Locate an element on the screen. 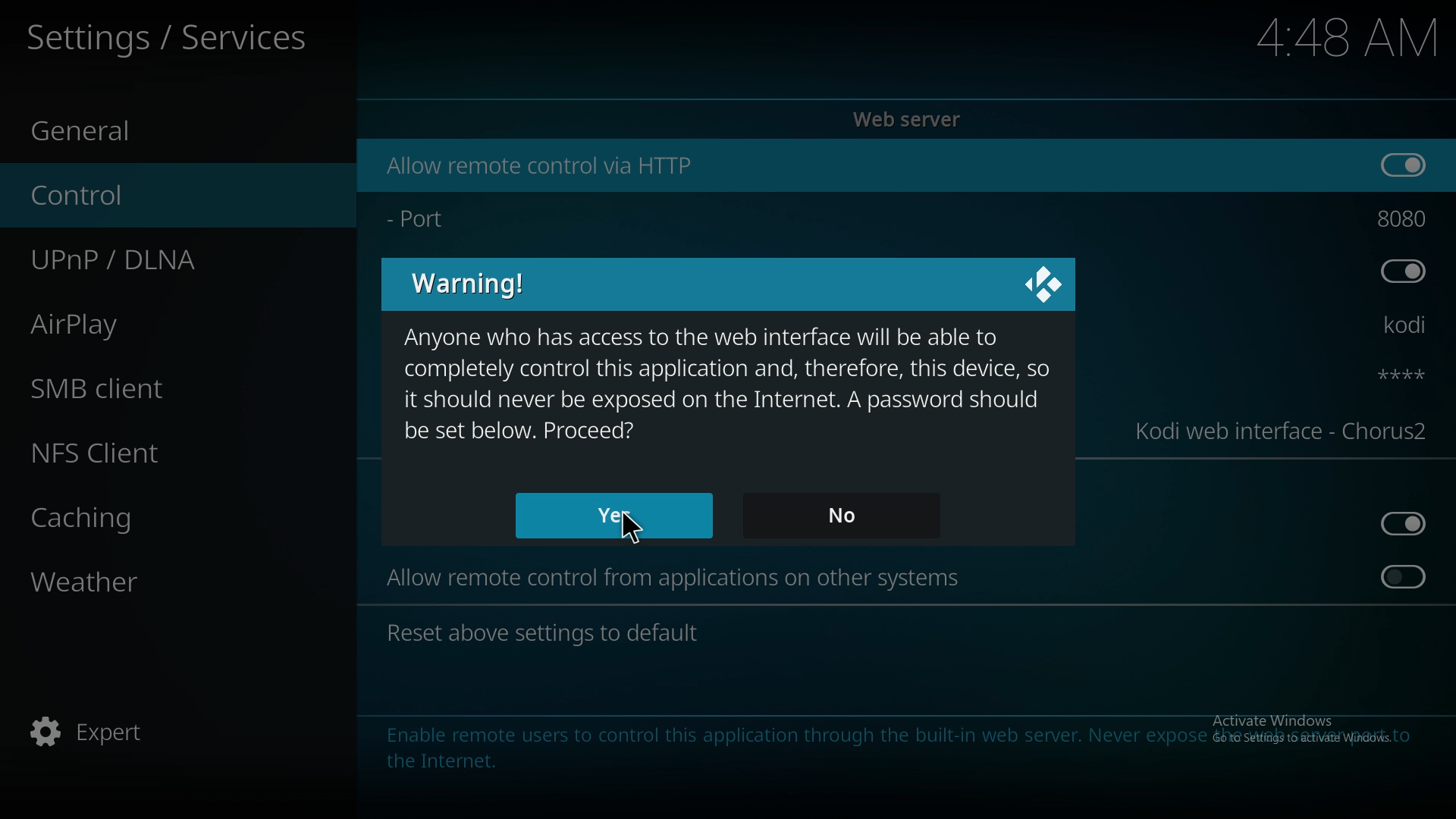 The image size is (1456, 819). expert is located at coordinates (100, 733).